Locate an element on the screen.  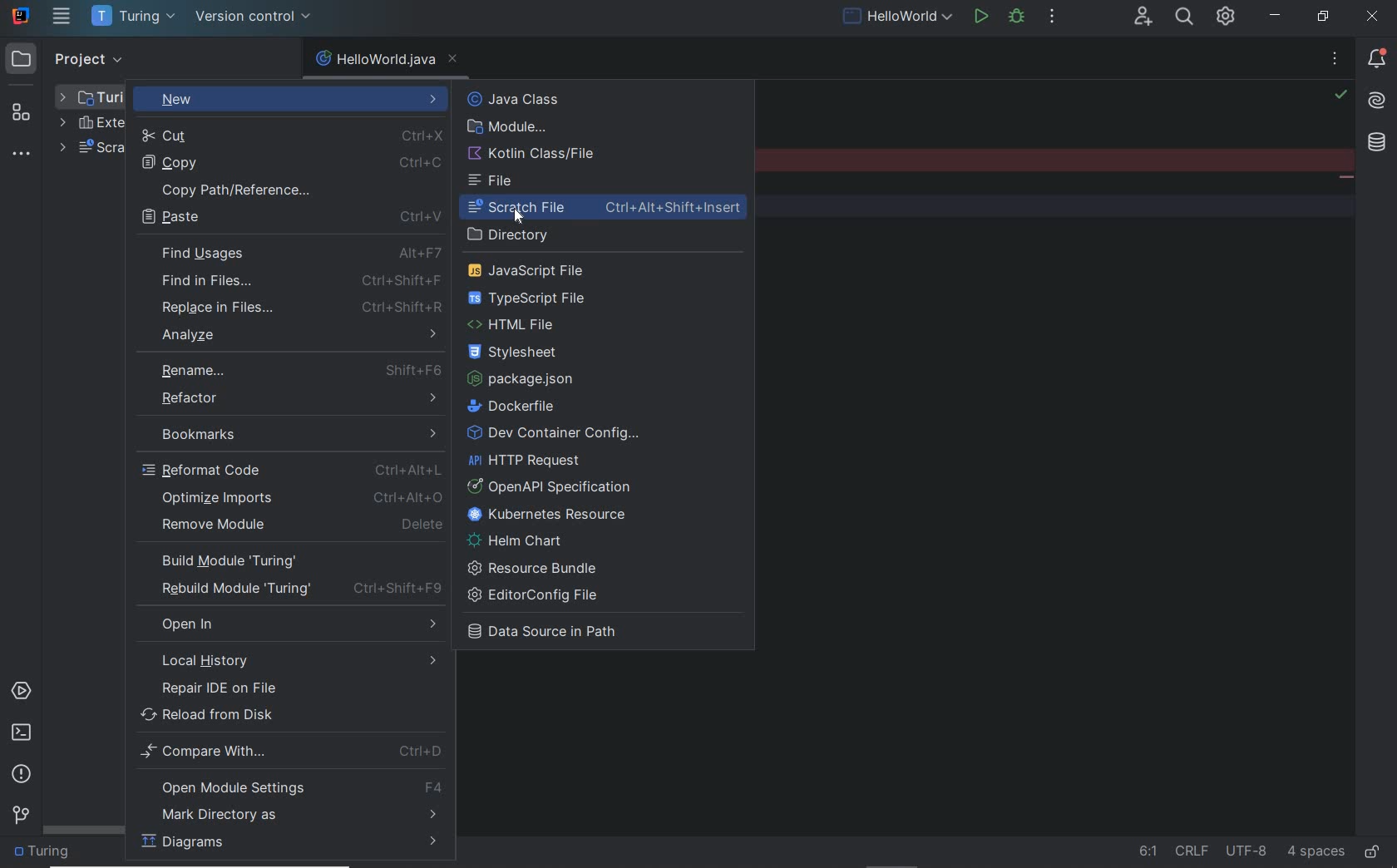
find in files is located at coordinates (298, 280).